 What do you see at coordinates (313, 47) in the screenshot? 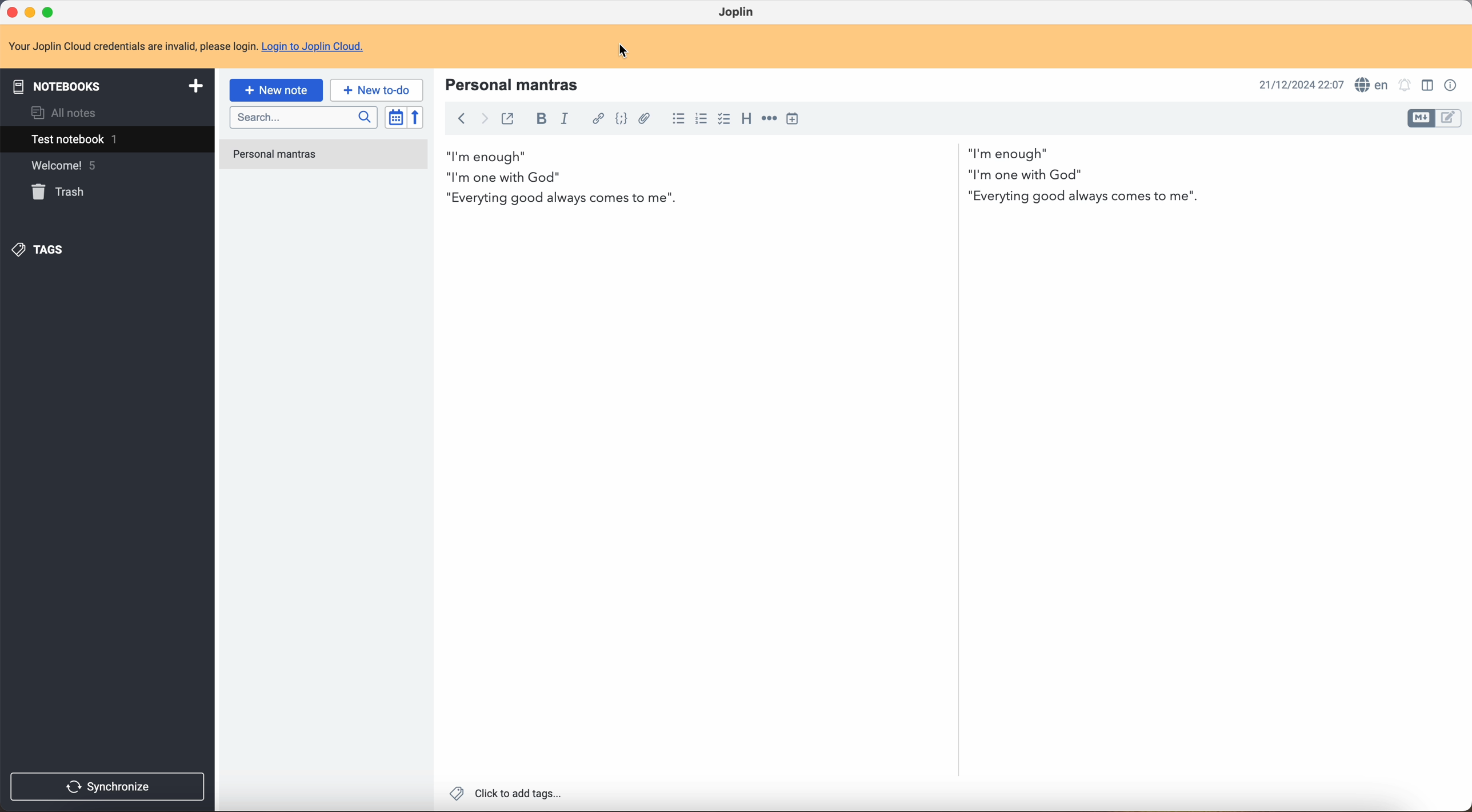
I see `Login to Joplin Cloud` at bounding box center [313, 47].